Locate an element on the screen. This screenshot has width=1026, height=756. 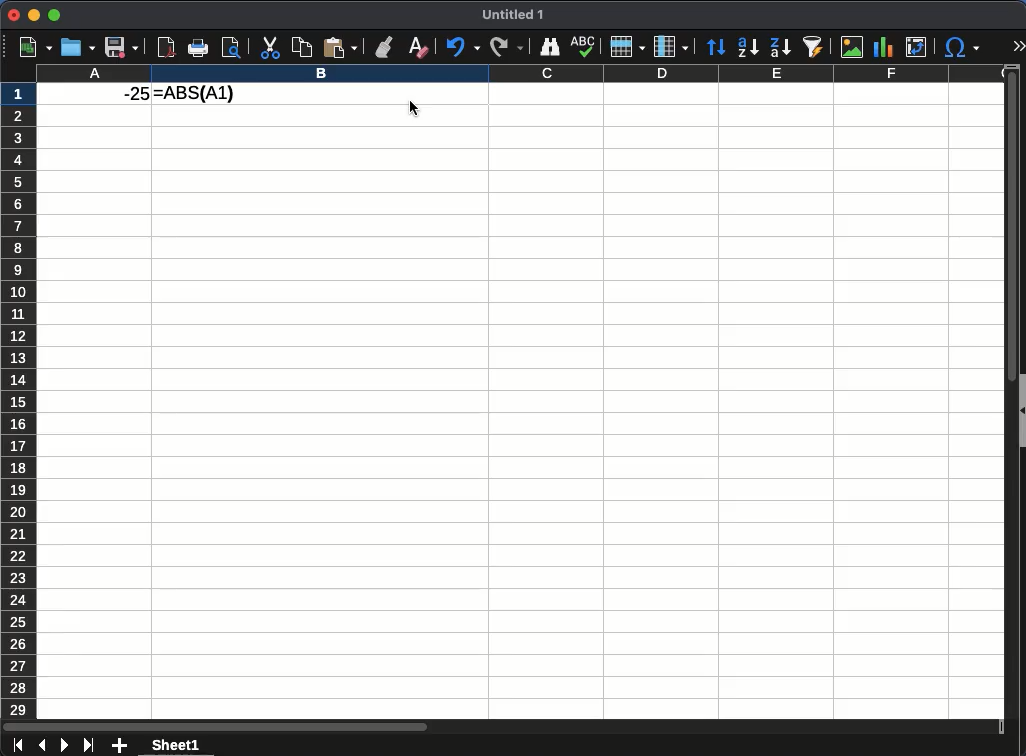
sheet 1 is located at coordinates (174, 744).